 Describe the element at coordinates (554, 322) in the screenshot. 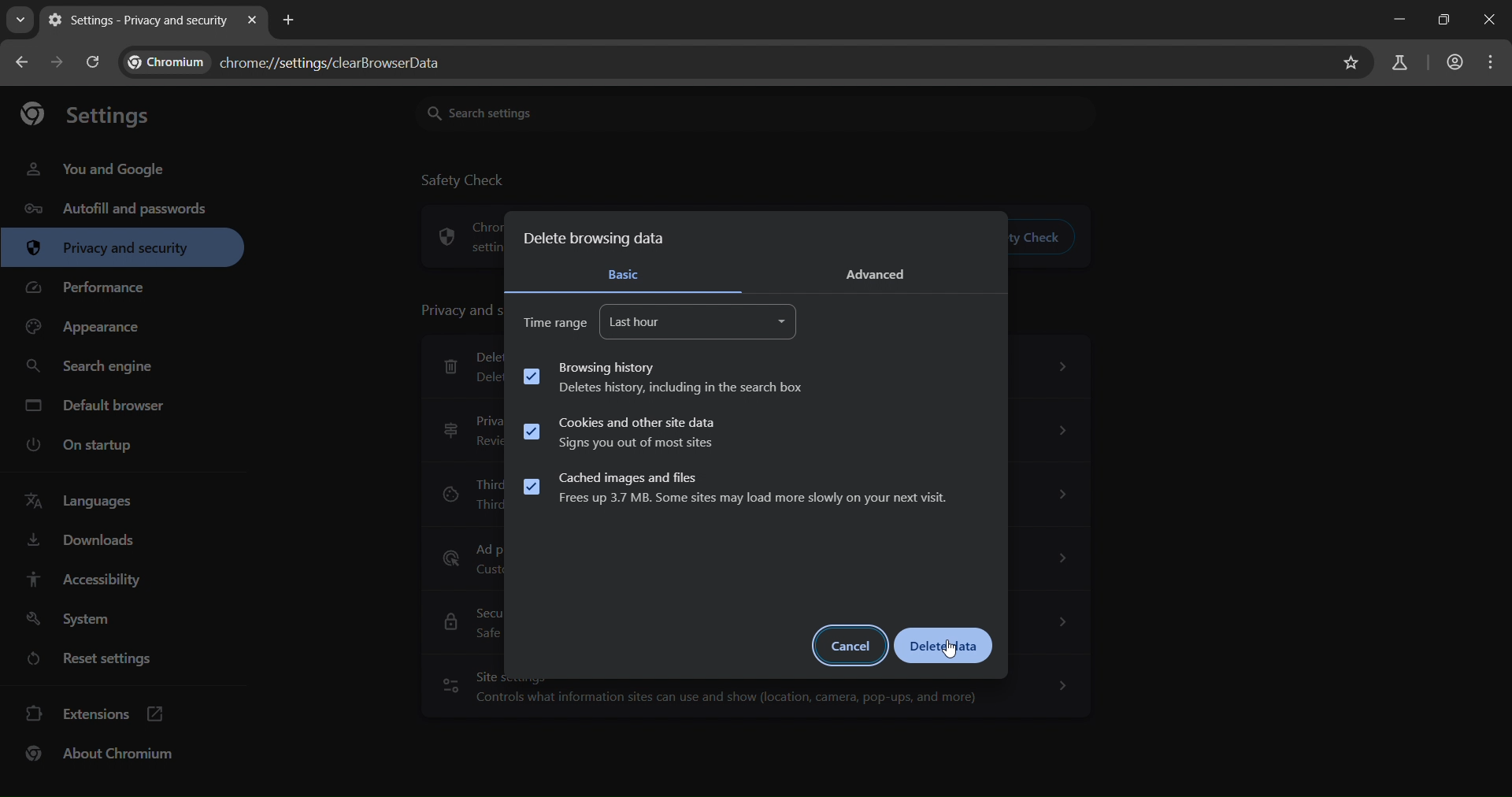

I see `time range` at that location.